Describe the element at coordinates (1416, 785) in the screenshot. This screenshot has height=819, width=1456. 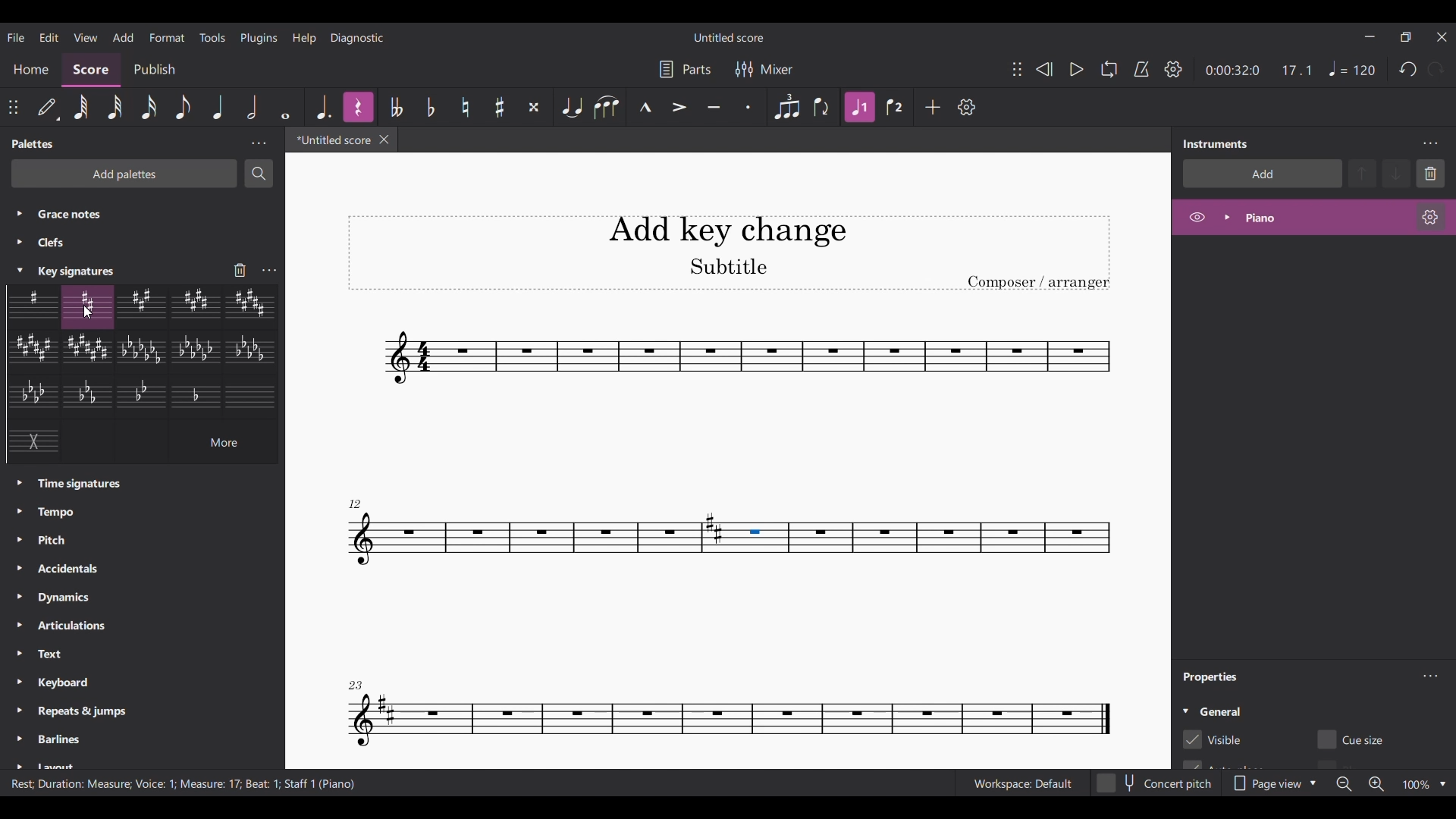
I see `Current zoom factor` at that location.